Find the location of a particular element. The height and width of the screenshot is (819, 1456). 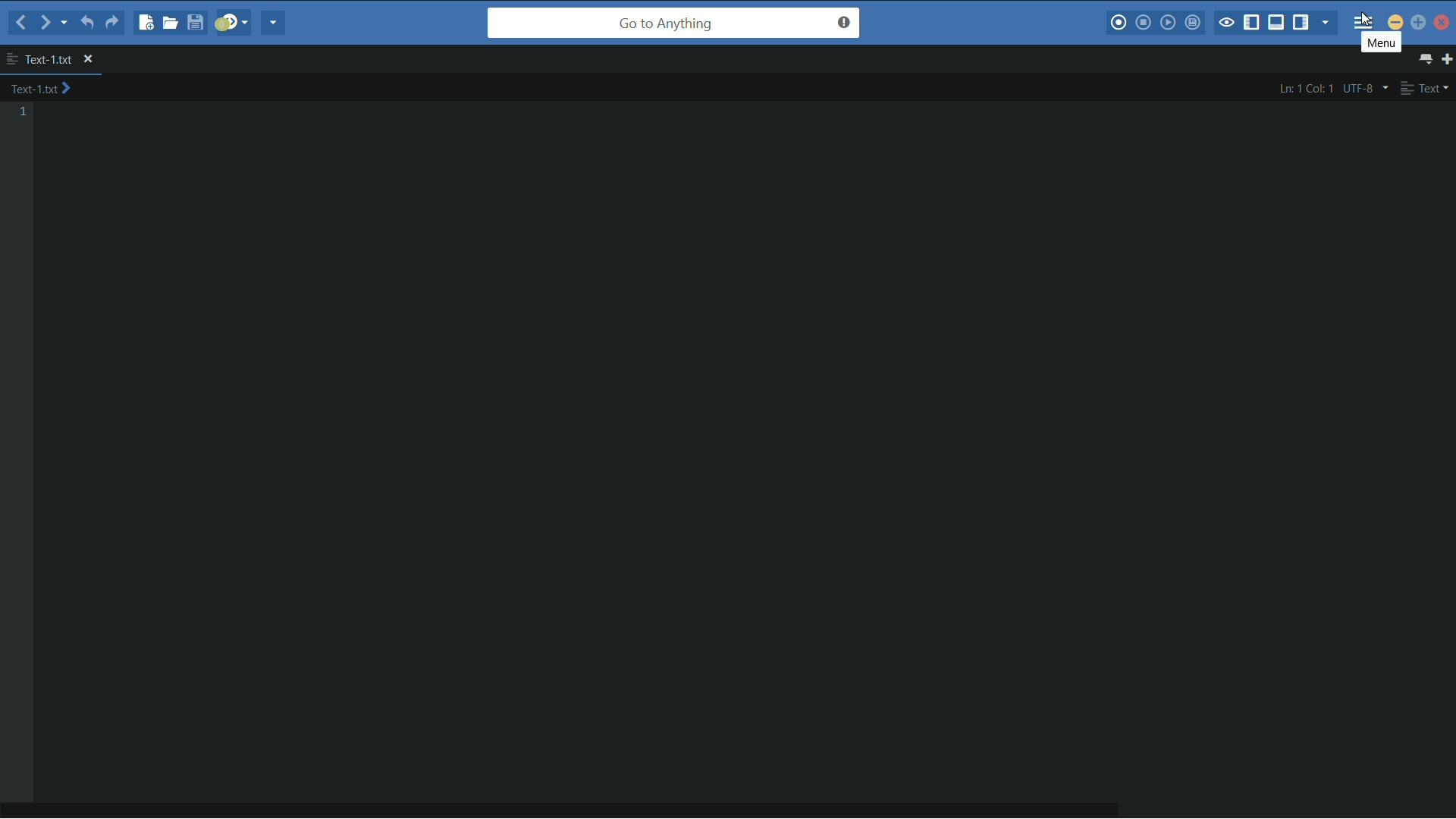

menu pop up is located at coordinates (1382, 43).